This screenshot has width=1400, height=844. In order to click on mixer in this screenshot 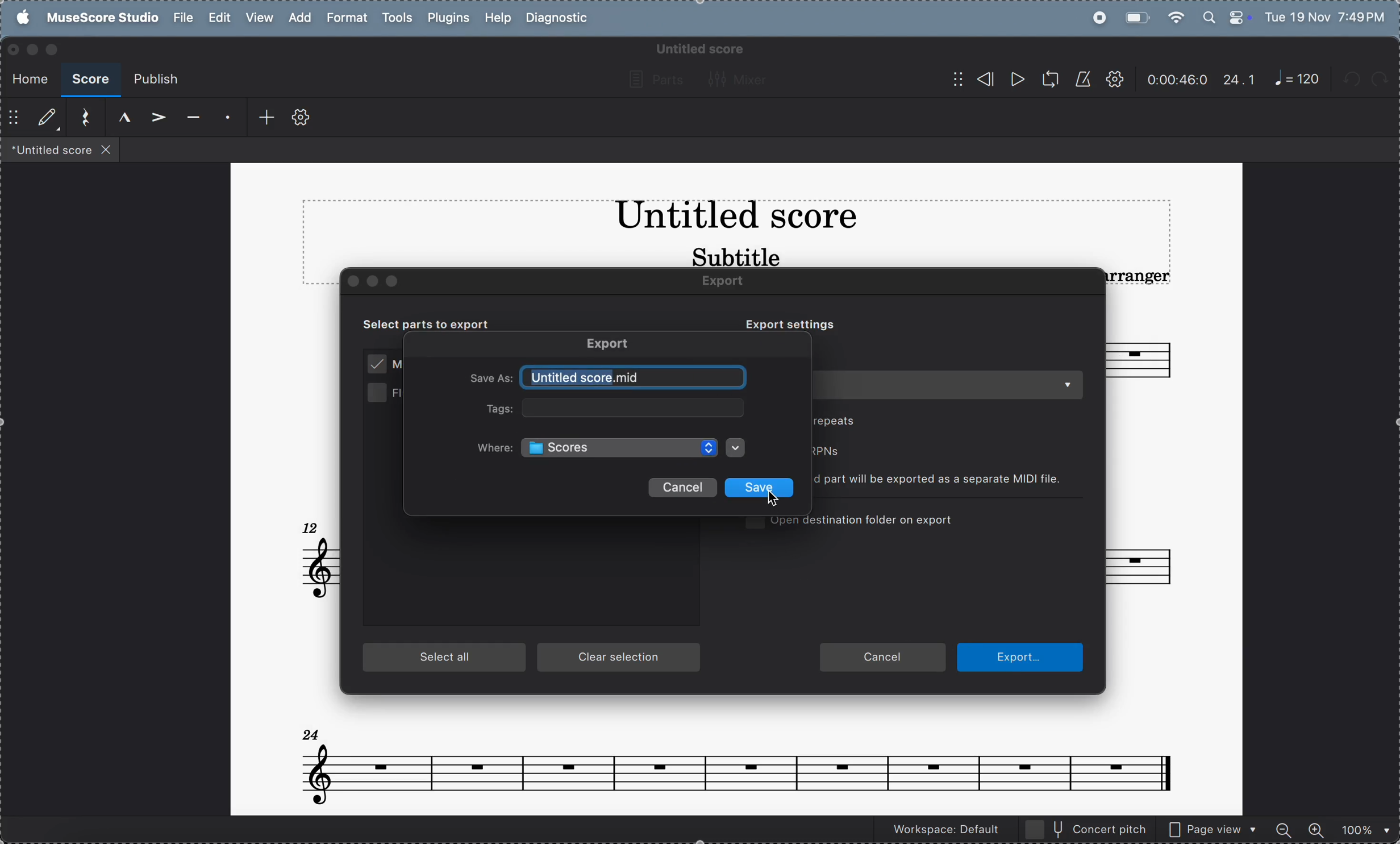, I will do `click(741, 79)`.